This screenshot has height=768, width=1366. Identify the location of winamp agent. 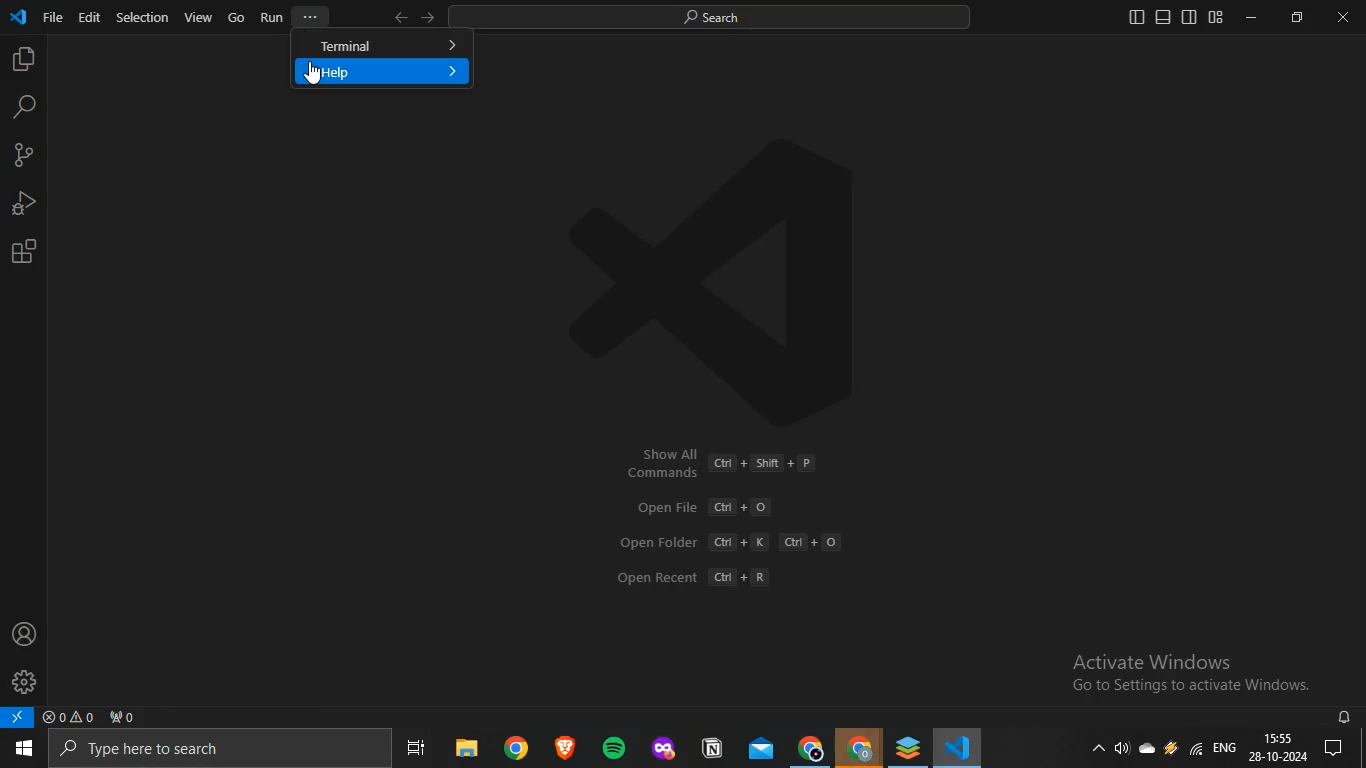
(1171, 752).